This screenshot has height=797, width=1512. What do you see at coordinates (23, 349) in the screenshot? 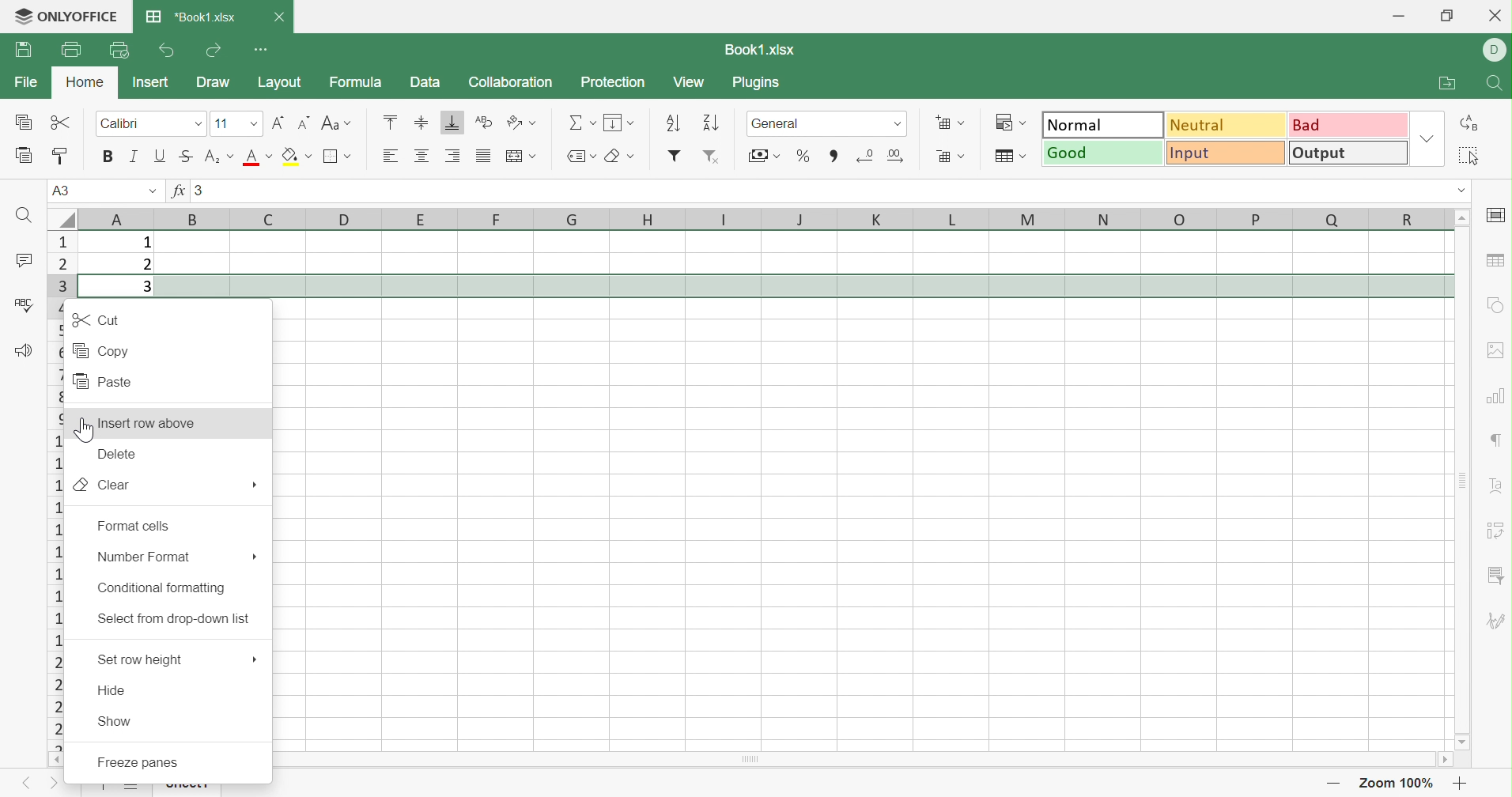
I see `Feedback & Support` at bounding box center [23, 349].